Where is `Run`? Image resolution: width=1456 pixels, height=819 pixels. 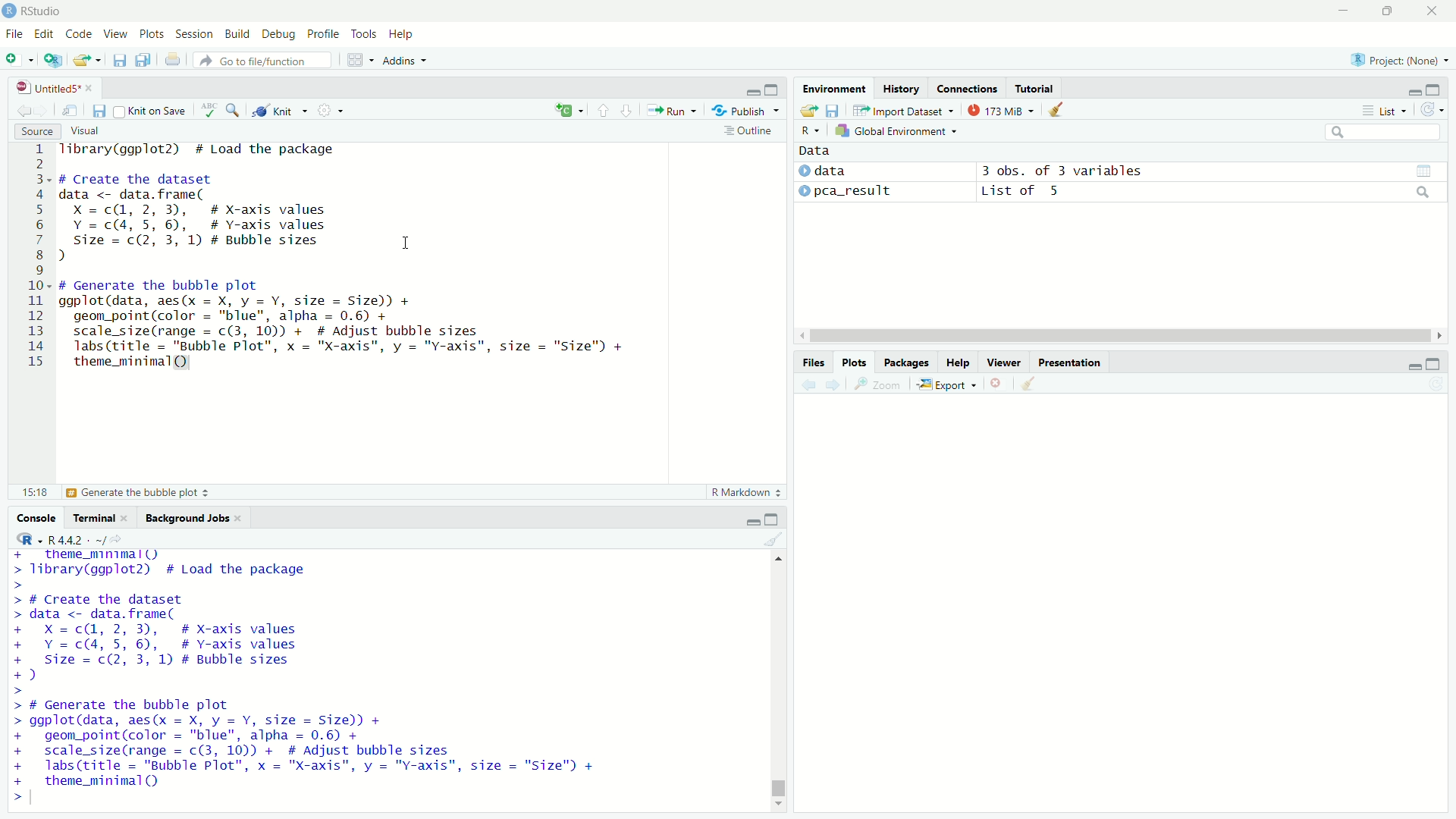 Run is located at coordinates (671, 109).